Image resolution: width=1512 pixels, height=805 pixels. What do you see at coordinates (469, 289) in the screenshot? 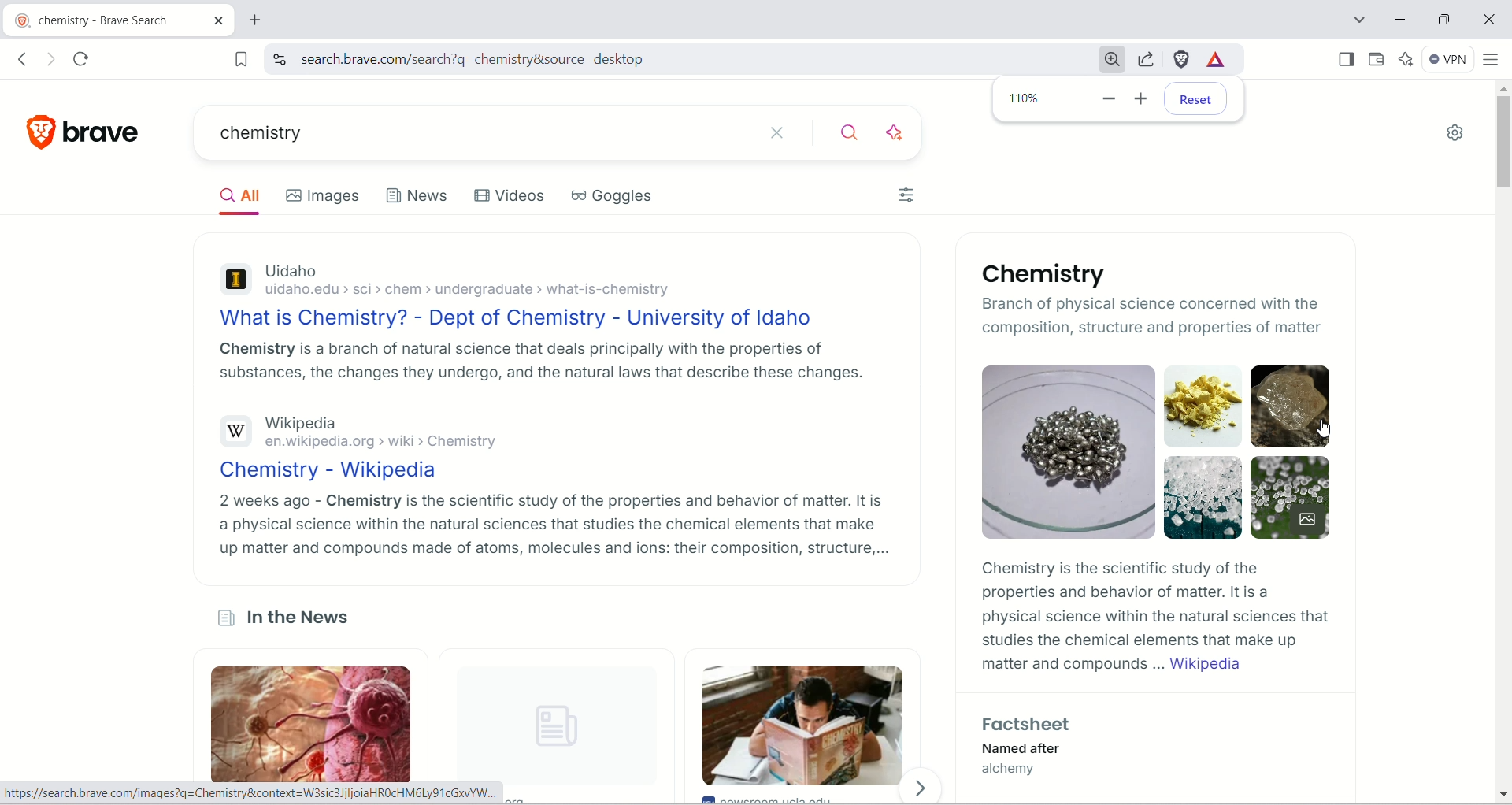
I see `uidaho.edu > sci > chem > undergraduate > what-is-chemistry` at bounding box center [469, 289].